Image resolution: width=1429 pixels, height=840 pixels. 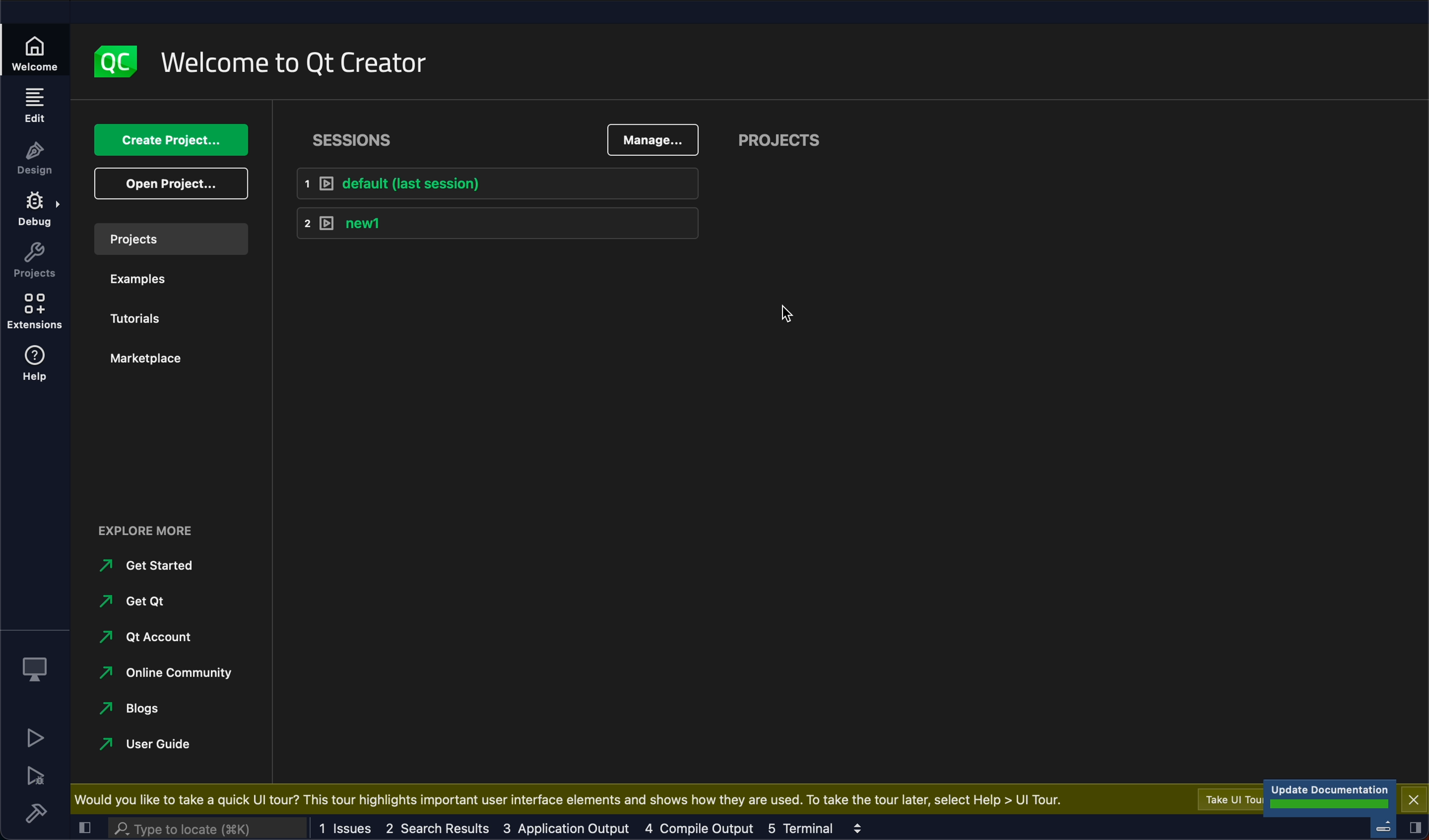 What do you see at coordinates (142, 748) in the screenshot?
I see `user guide` at bounding box center [142, 748].